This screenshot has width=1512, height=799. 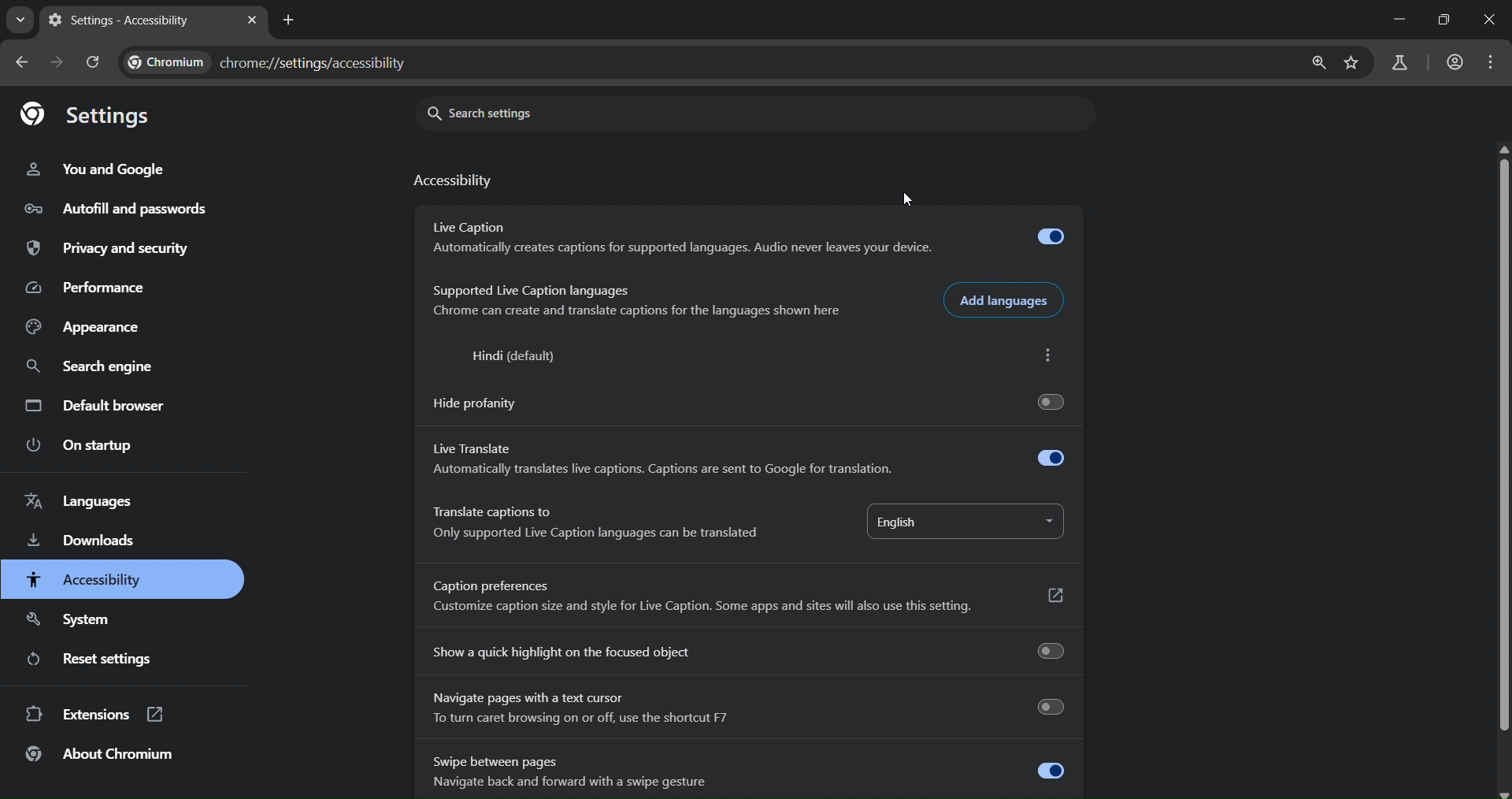 I want to click on Swipe between pages
Navigate back and forward with a swipe gesture, so click(x=565, y=773).